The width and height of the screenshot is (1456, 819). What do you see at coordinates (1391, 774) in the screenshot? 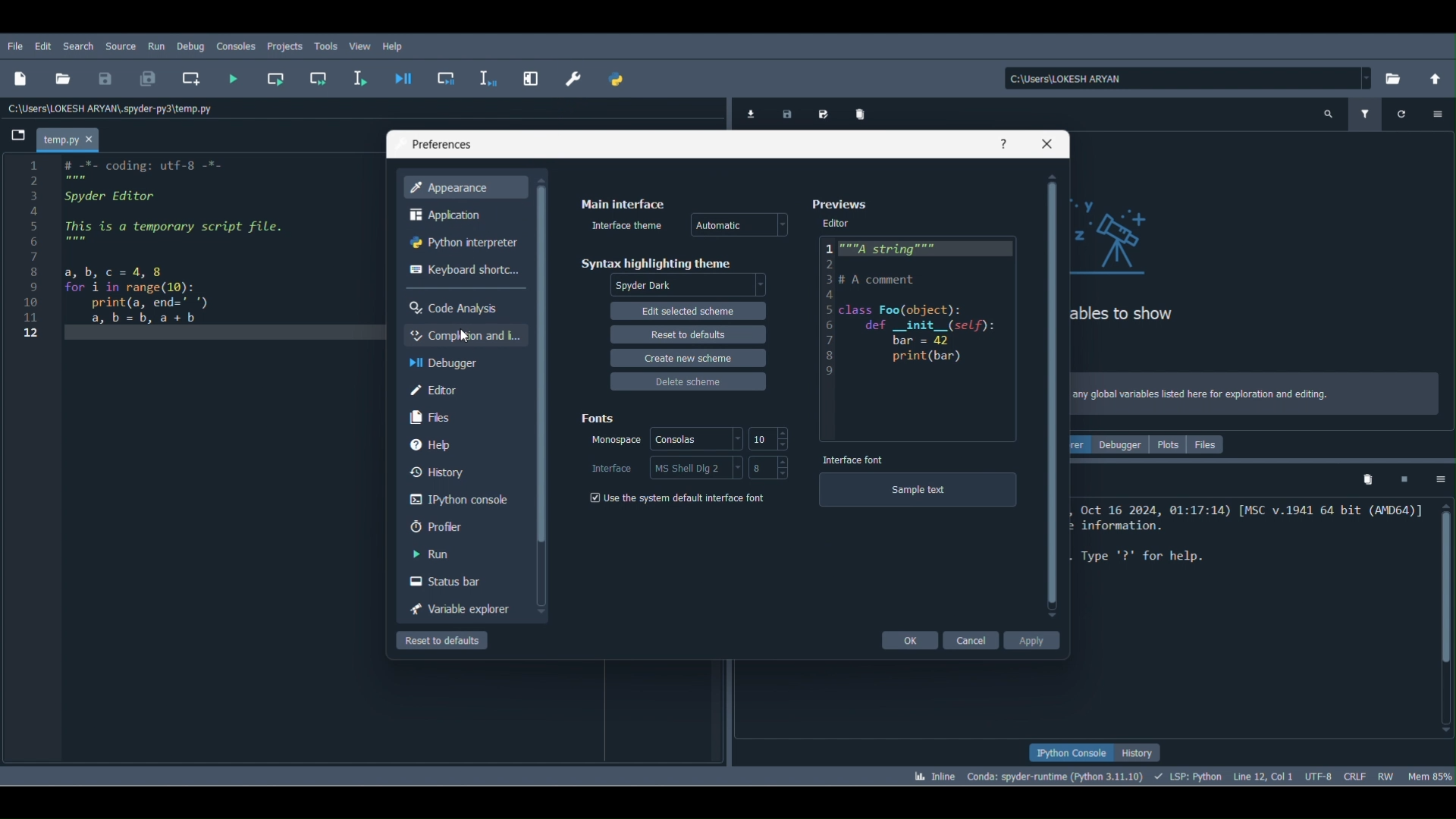
I see `File permissions` at bounding box center [1391, 774].